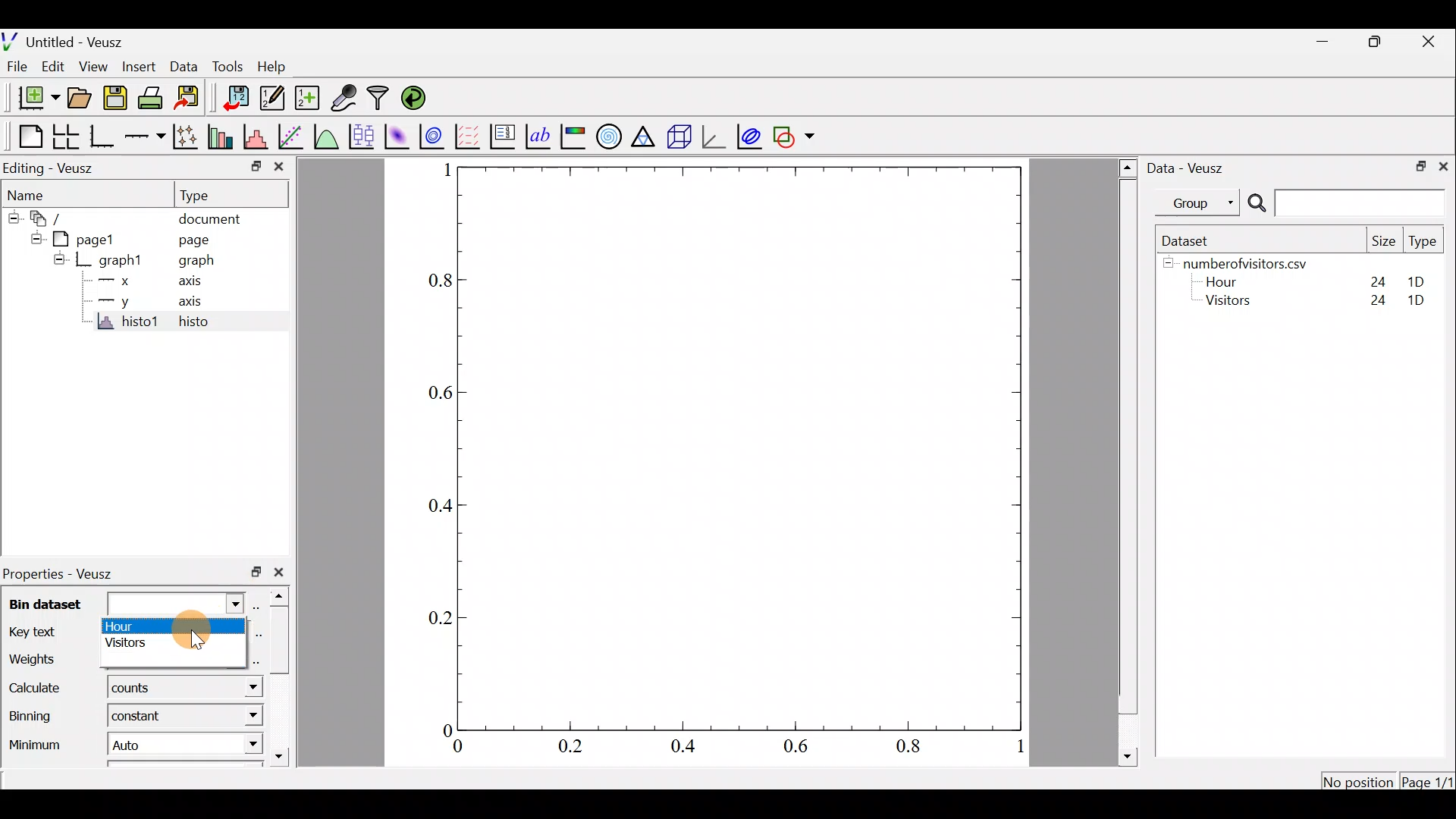  I want to click on polar graph, so click(610, 138).